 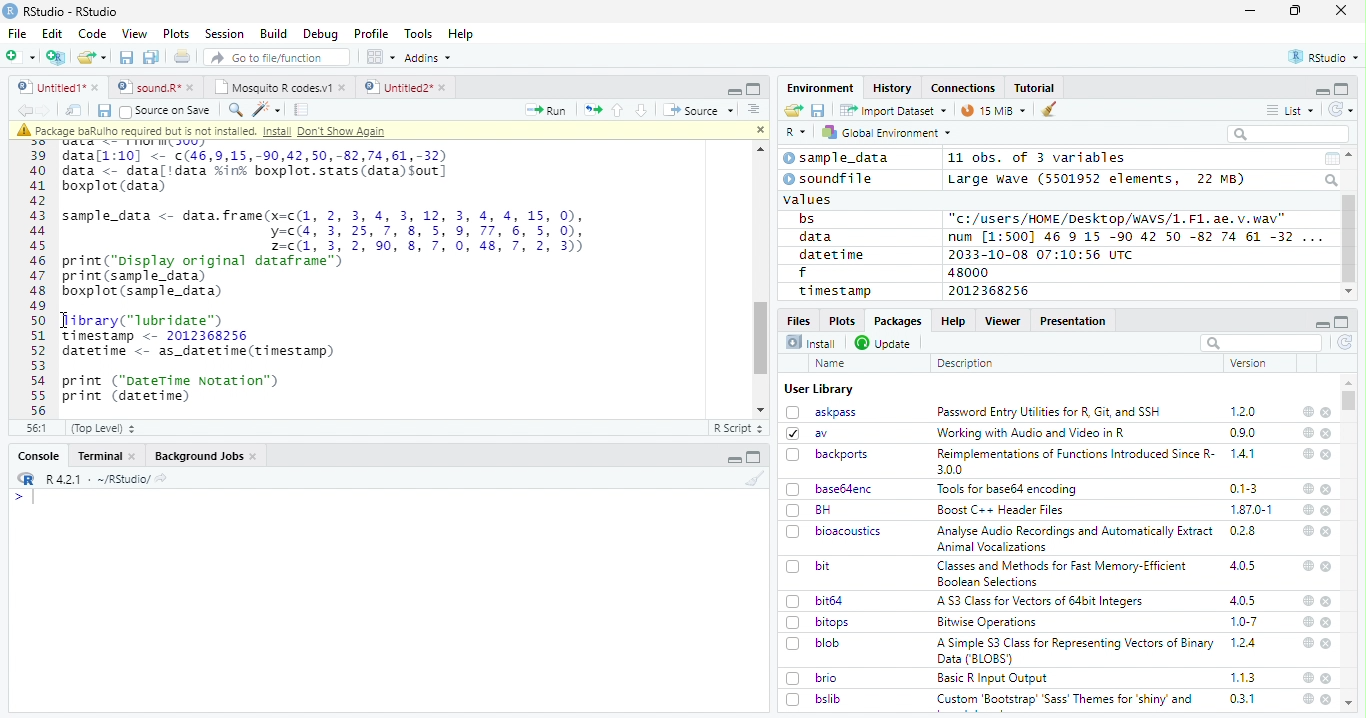 I want to click on help, so click(x=1307, y=600).